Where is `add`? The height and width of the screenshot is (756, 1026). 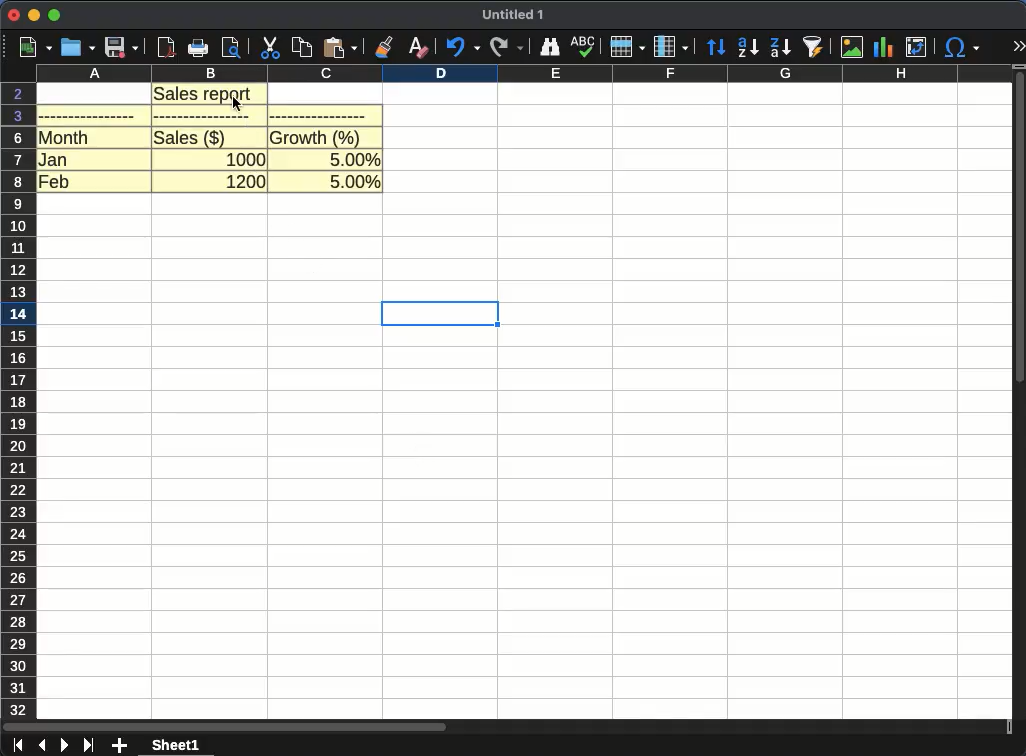
add is located at coordinates (121, 746).